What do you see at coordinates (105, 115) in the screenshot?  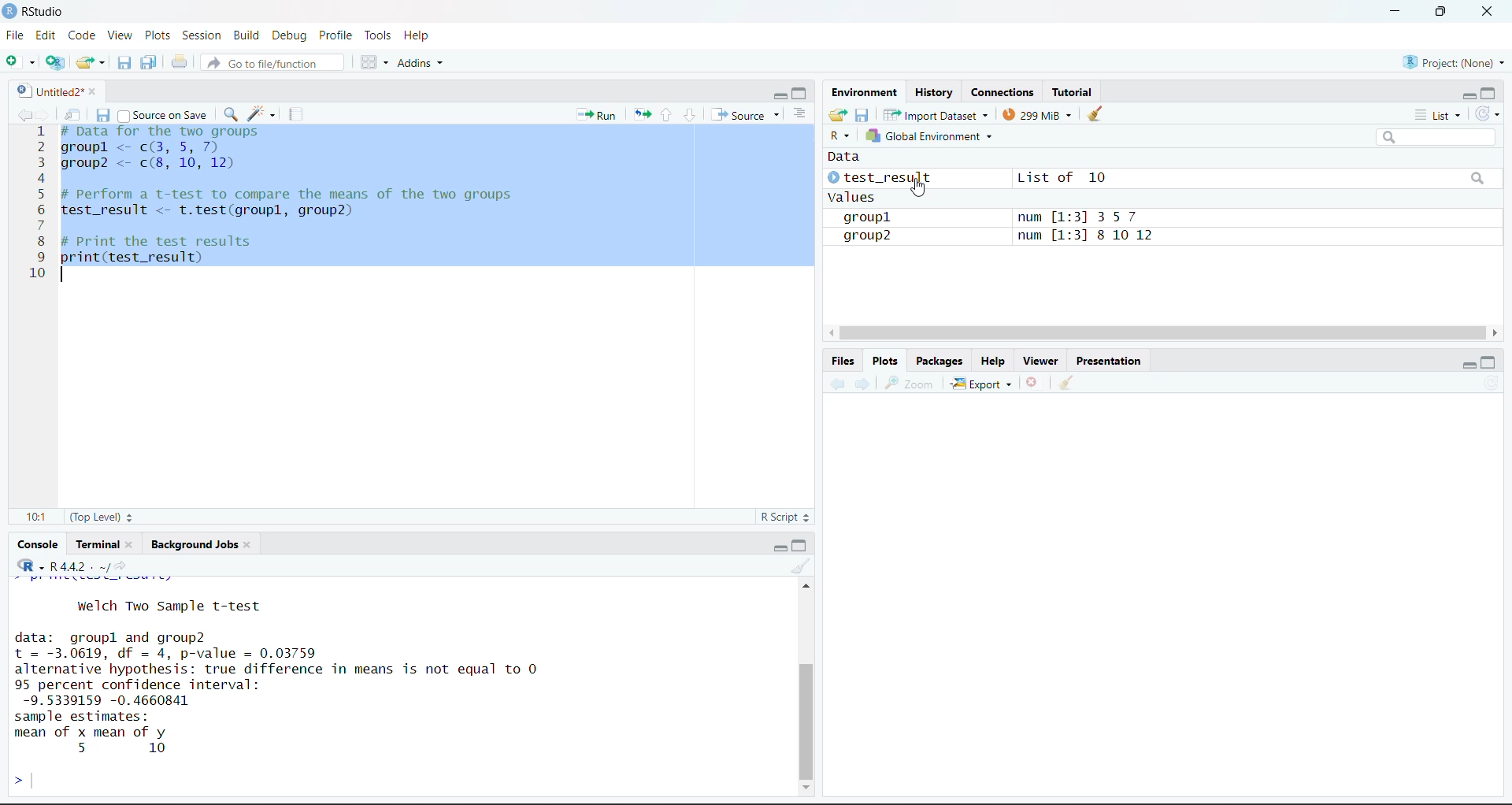 I see `save current document` at bounding box center [105, 115].